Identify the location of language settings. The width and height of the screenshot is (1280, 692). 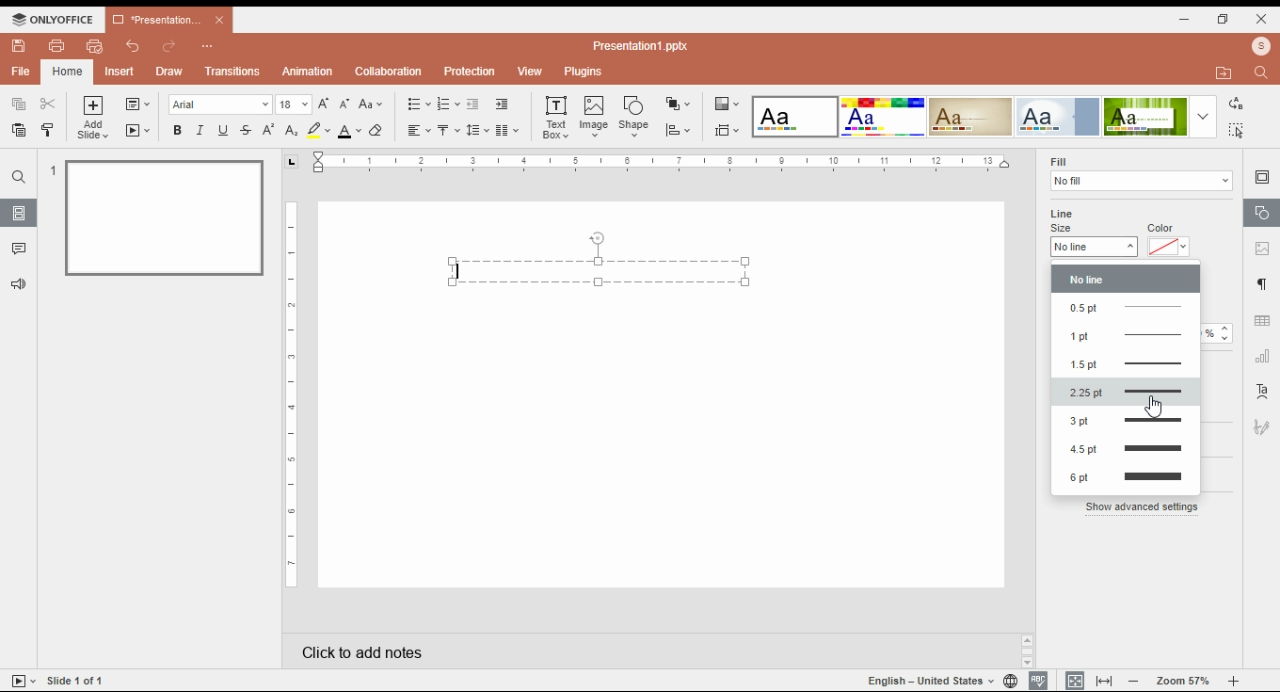
(1009, 681).